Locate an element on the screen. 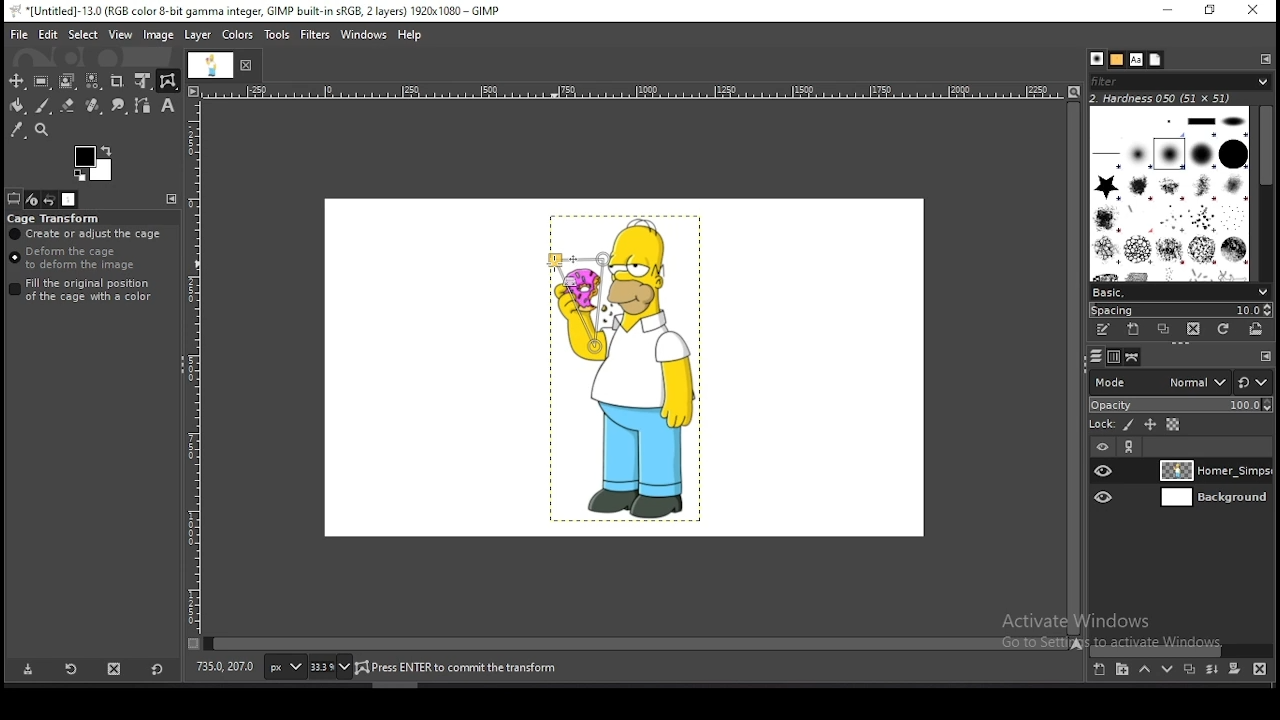  lock pixels is located at coordinates (1127, 426).